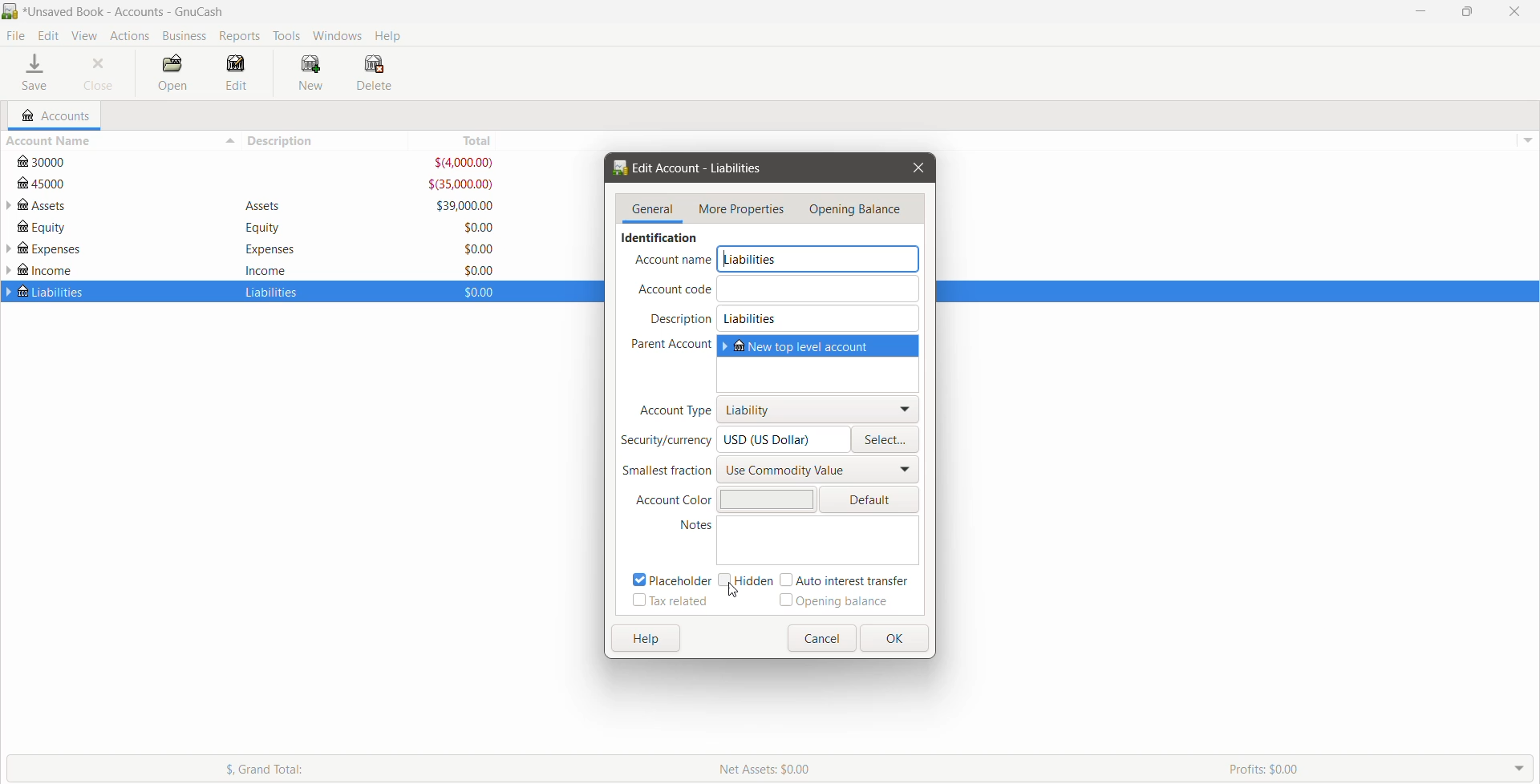  What do you see at coordinates (764, 499) in the screenshot?
I see `Current color` at bounding box center [764, 499].